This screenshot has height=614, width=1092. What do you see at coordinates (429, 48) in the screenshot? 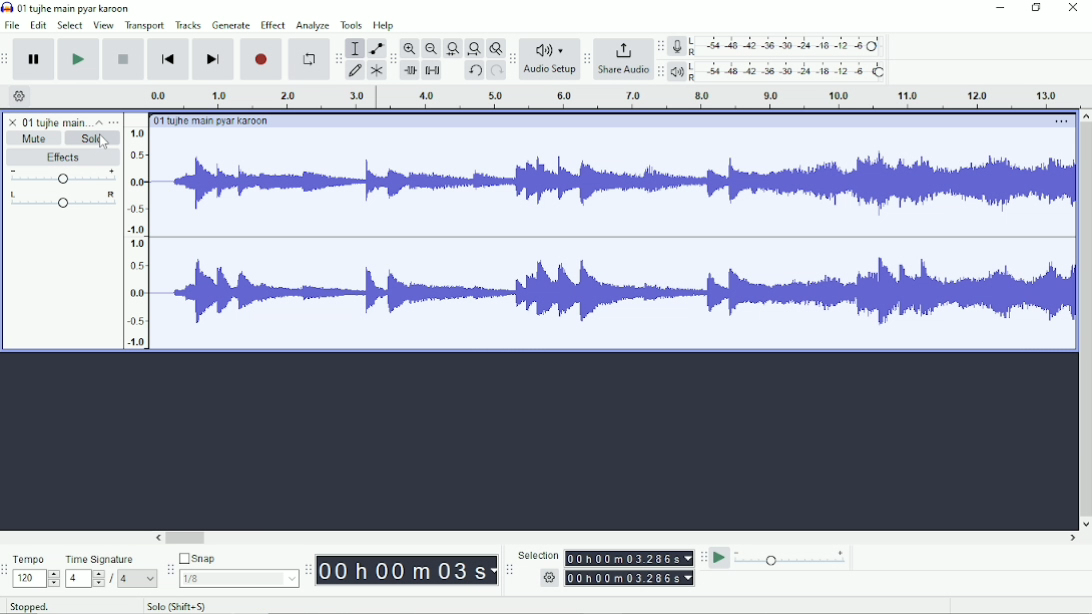
I see `Zoom Out` at bounding box center [429, 48].